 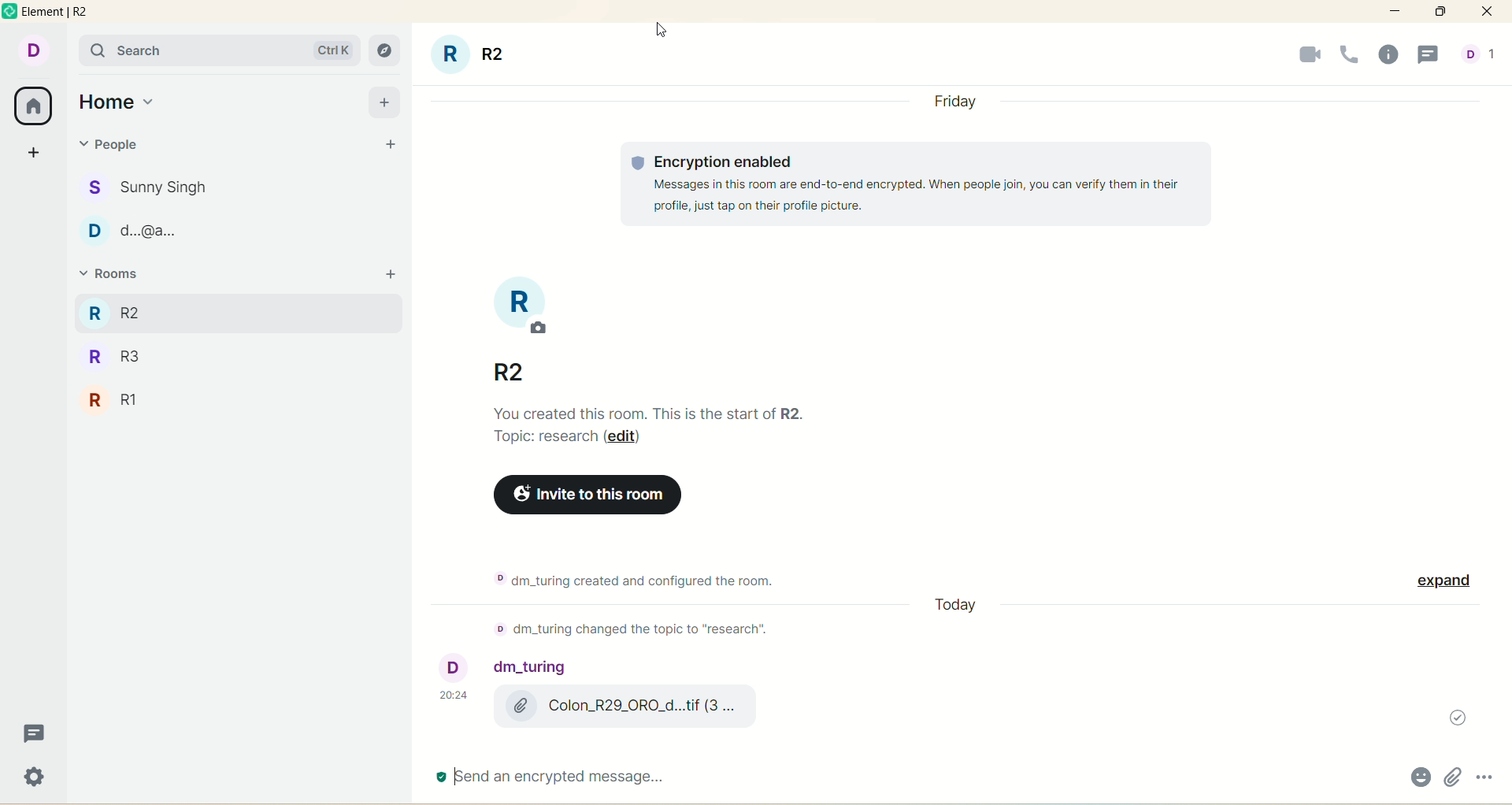 I want to click on , so click(x=545, y=777).